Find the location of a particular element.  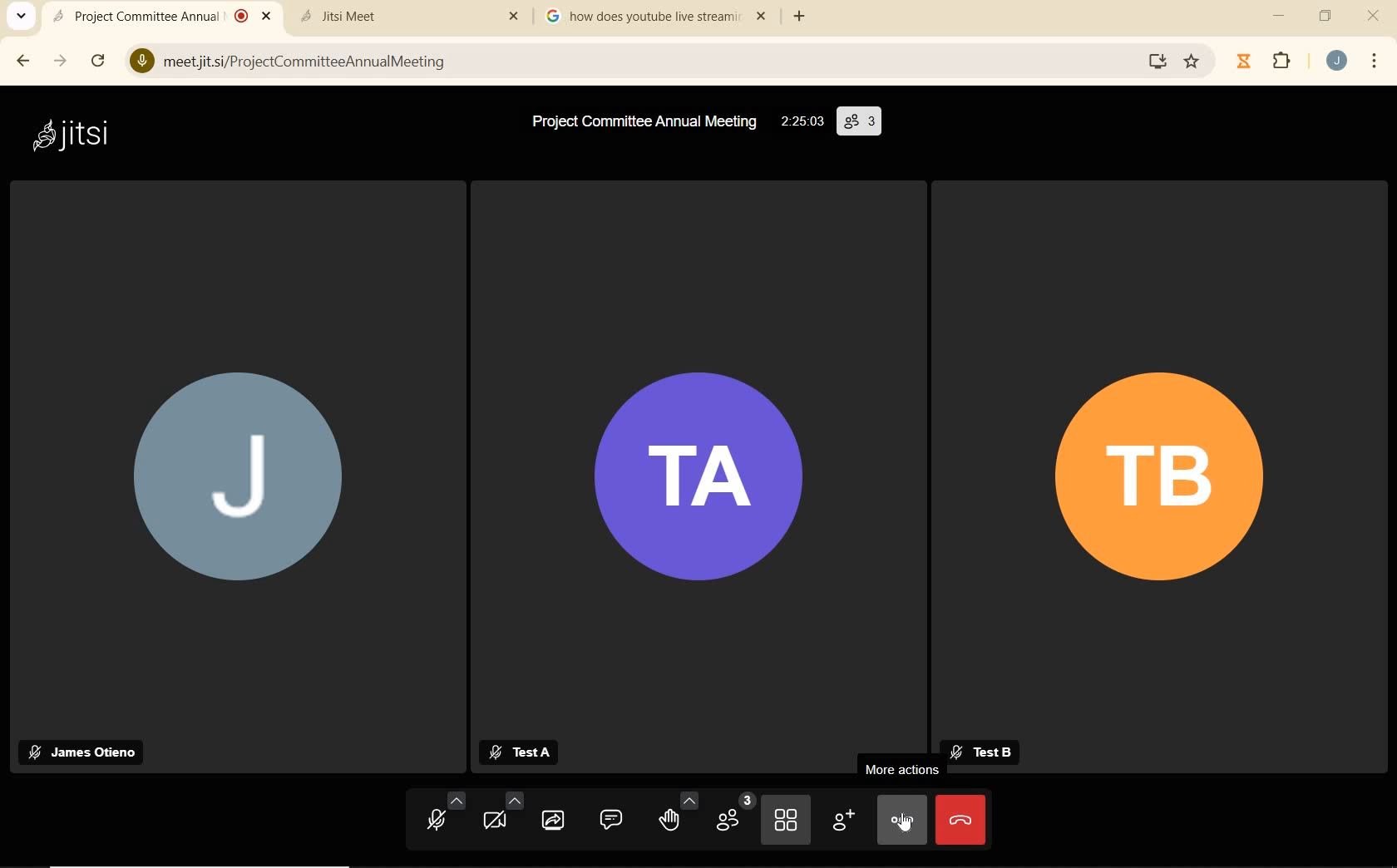

start screen sharing is located at coordinates (556, 820).